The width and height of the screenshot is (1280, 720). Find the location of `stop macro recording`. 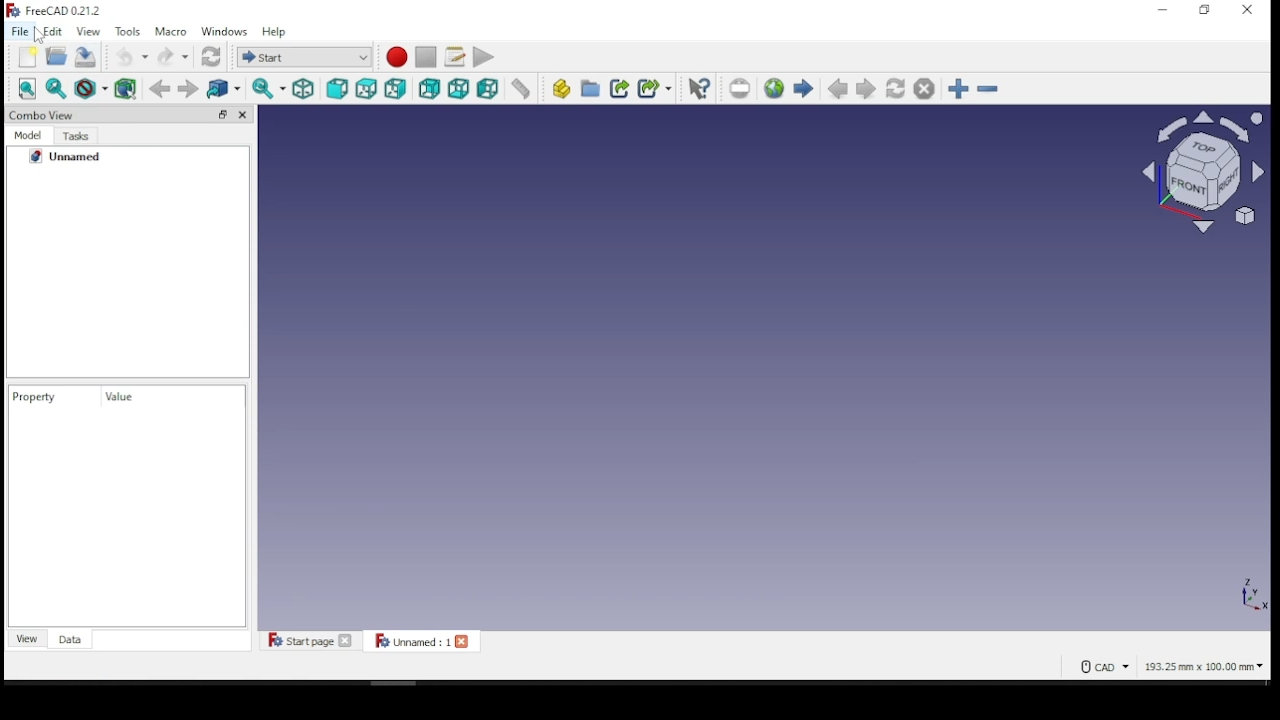

stop macro recording is located at coordinates (427, 56).